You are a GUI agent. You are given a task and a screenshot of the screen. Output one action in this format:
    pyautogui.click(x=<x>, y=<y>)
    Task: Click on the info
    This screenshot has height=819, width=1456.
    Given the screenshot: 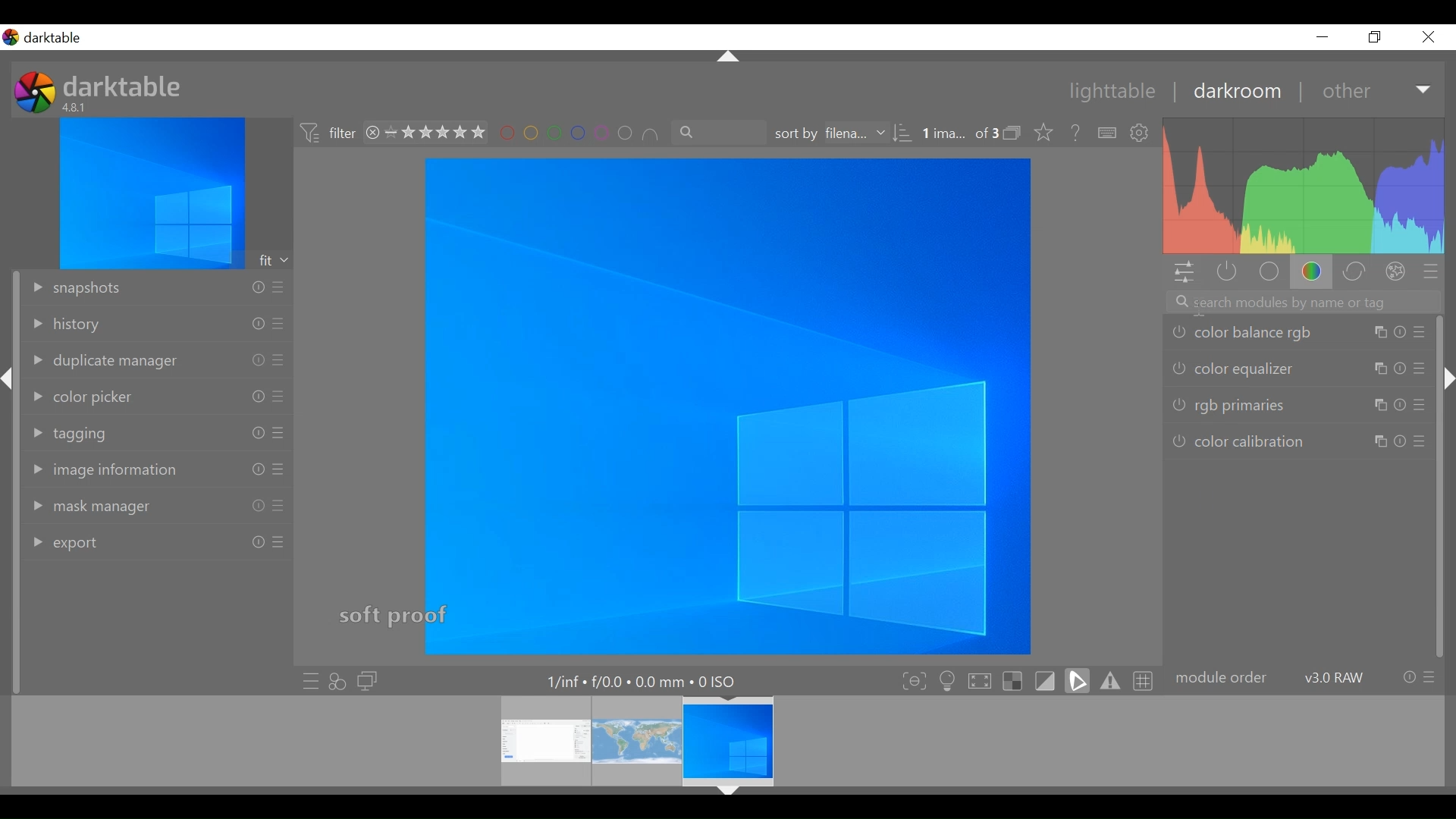 What is the action you would take?
    pyautogui.click(x=257, y=396)
    